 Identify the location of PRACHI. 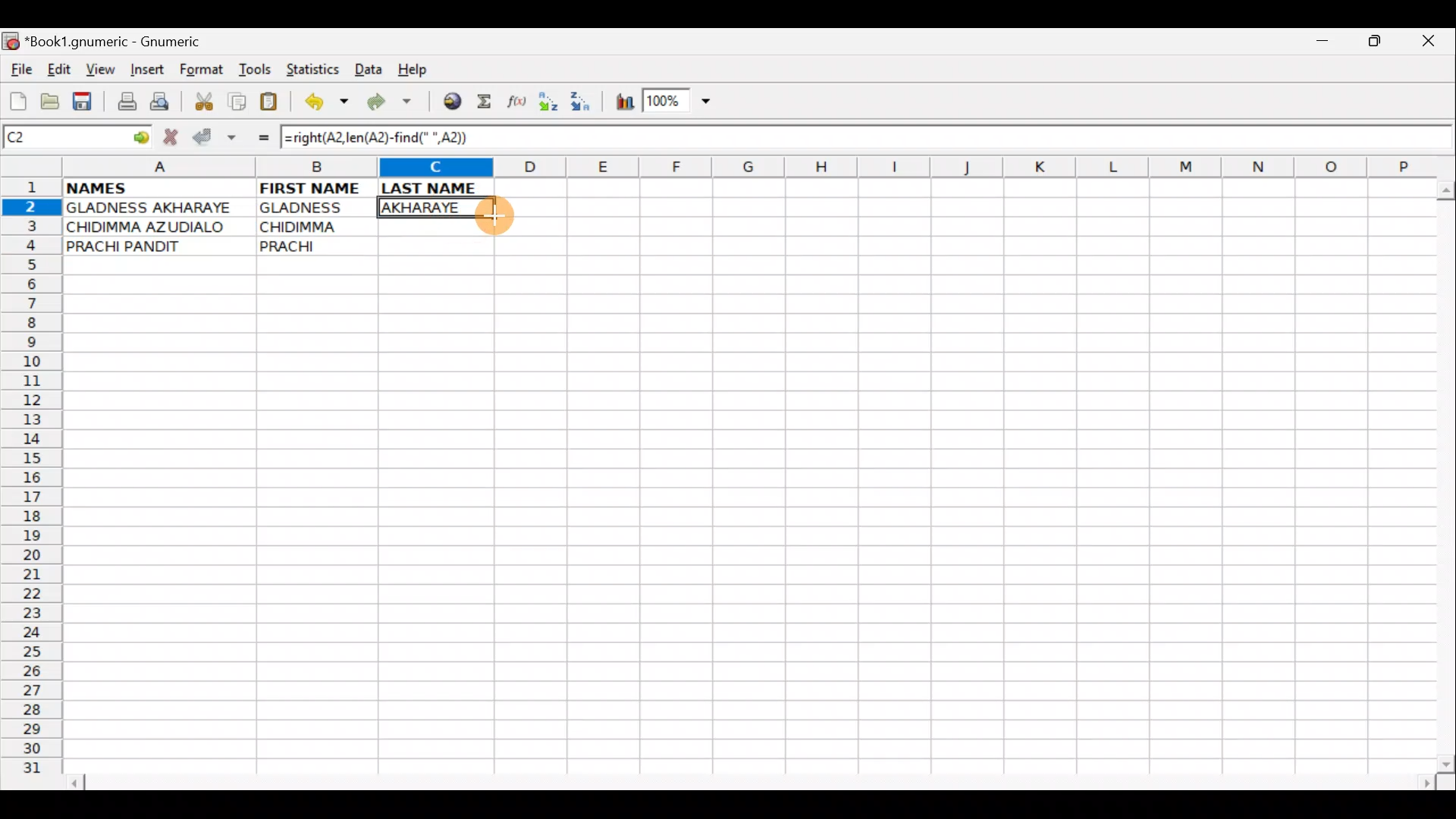
(317, 243).